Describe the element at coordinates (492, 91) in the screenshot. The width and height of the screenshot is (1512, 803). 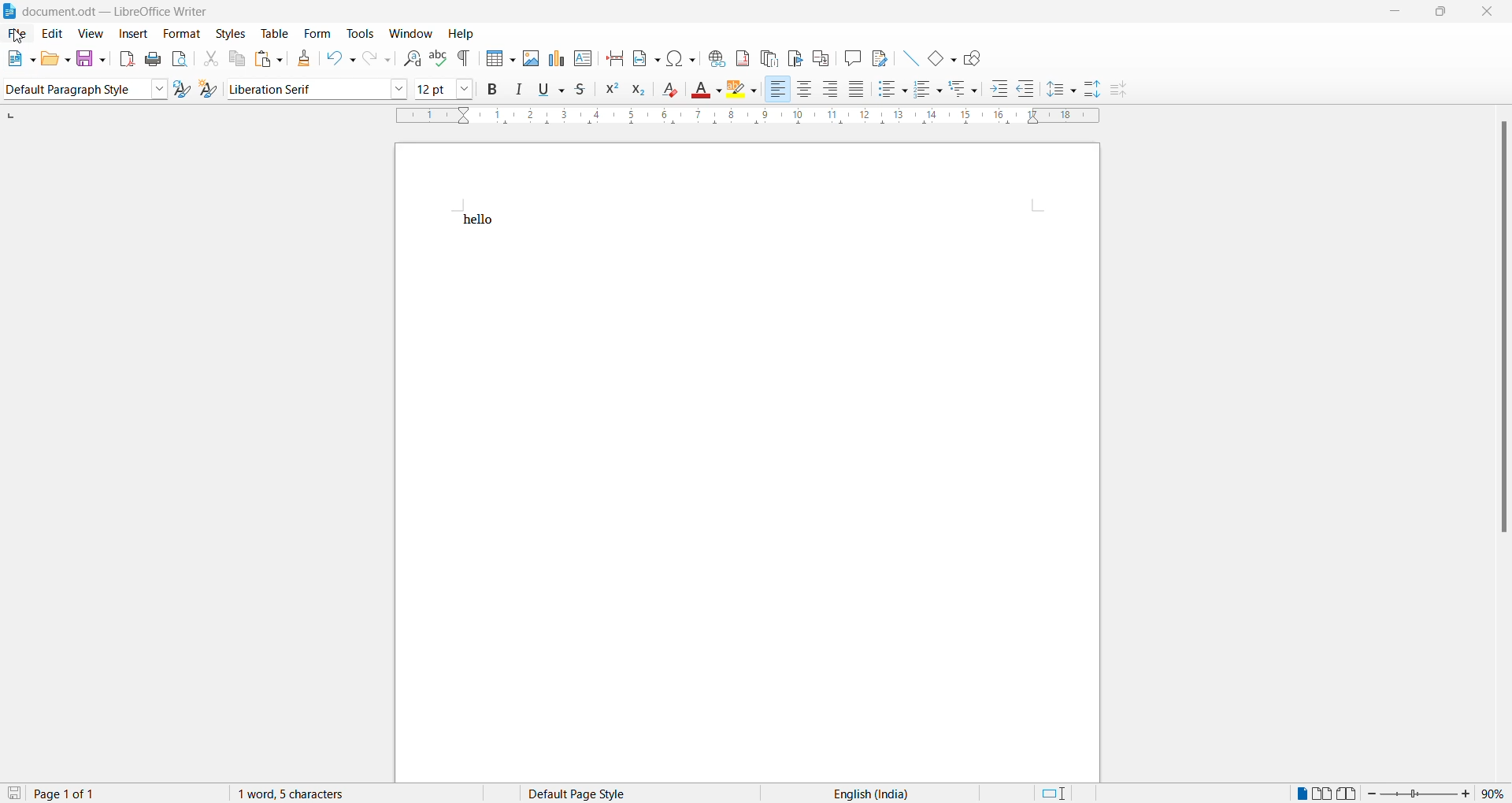
I see `Bold` at that location.